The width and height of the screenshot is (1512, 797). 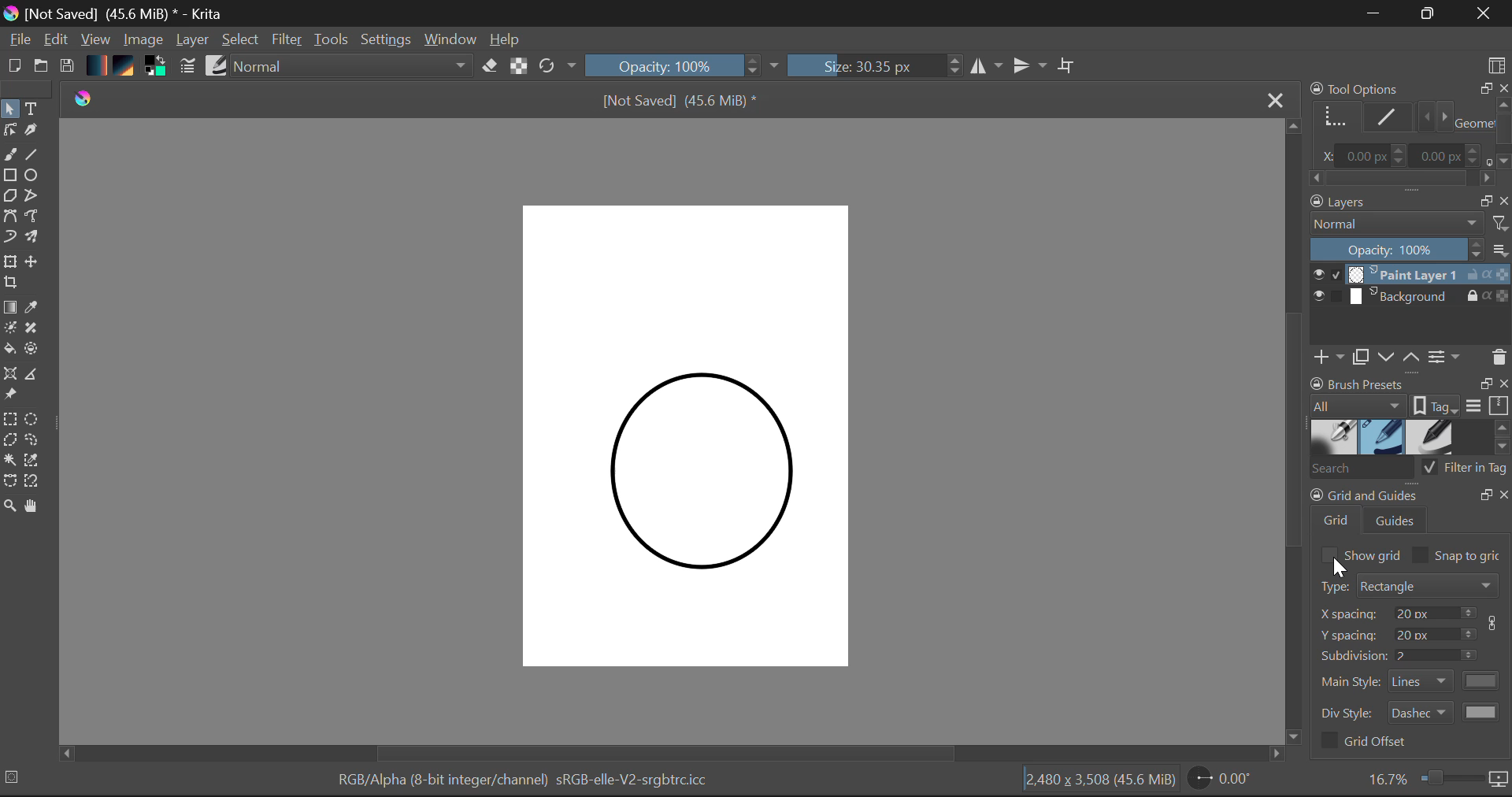 What do you see at coordinates (556, 68) in the screenshot?
I see `Refresh` at bounding box center [556, 68].